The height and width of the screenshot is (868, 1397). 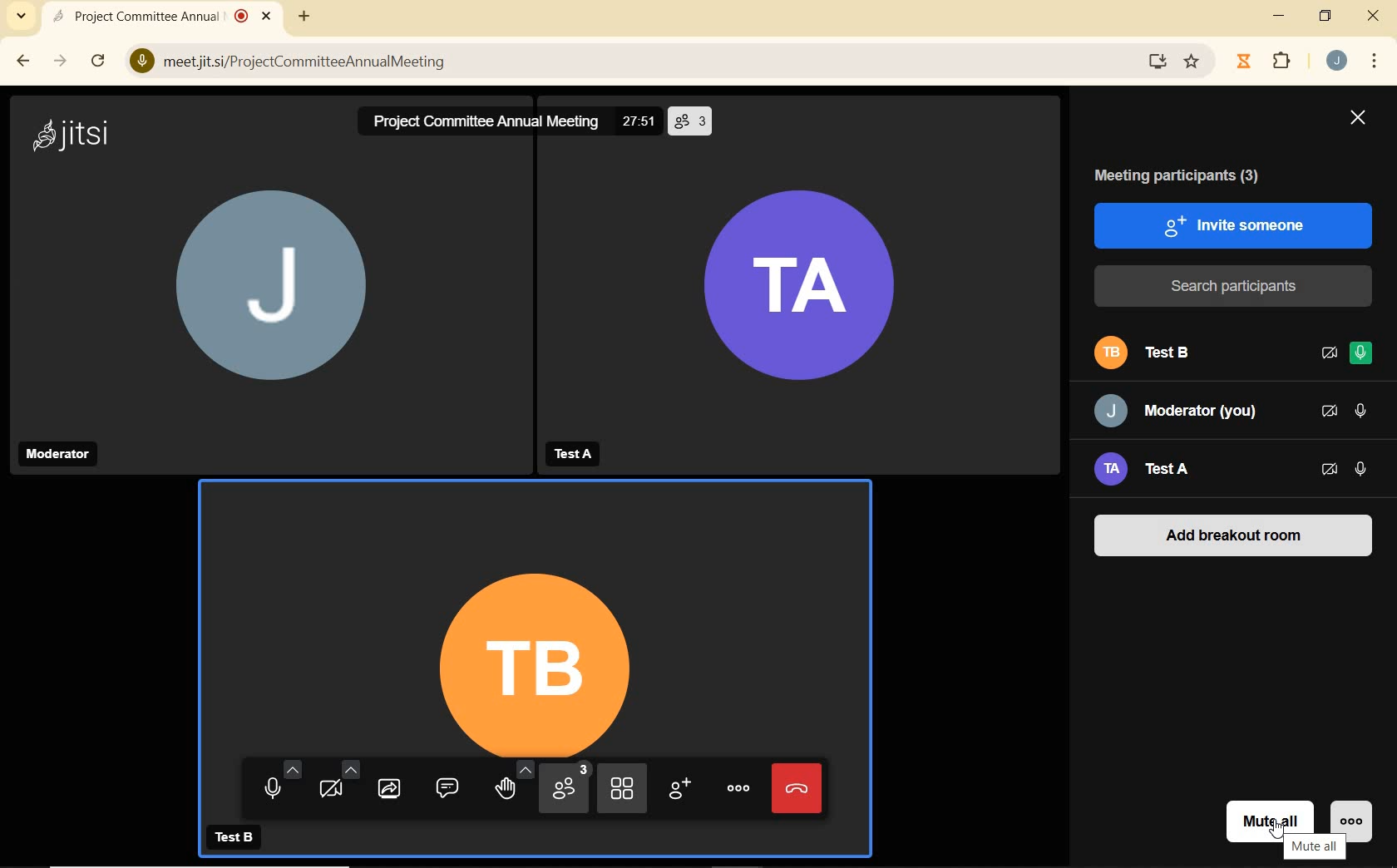 I want to click on TOGGLE TILE VIEW, so click(x=620, y=787).